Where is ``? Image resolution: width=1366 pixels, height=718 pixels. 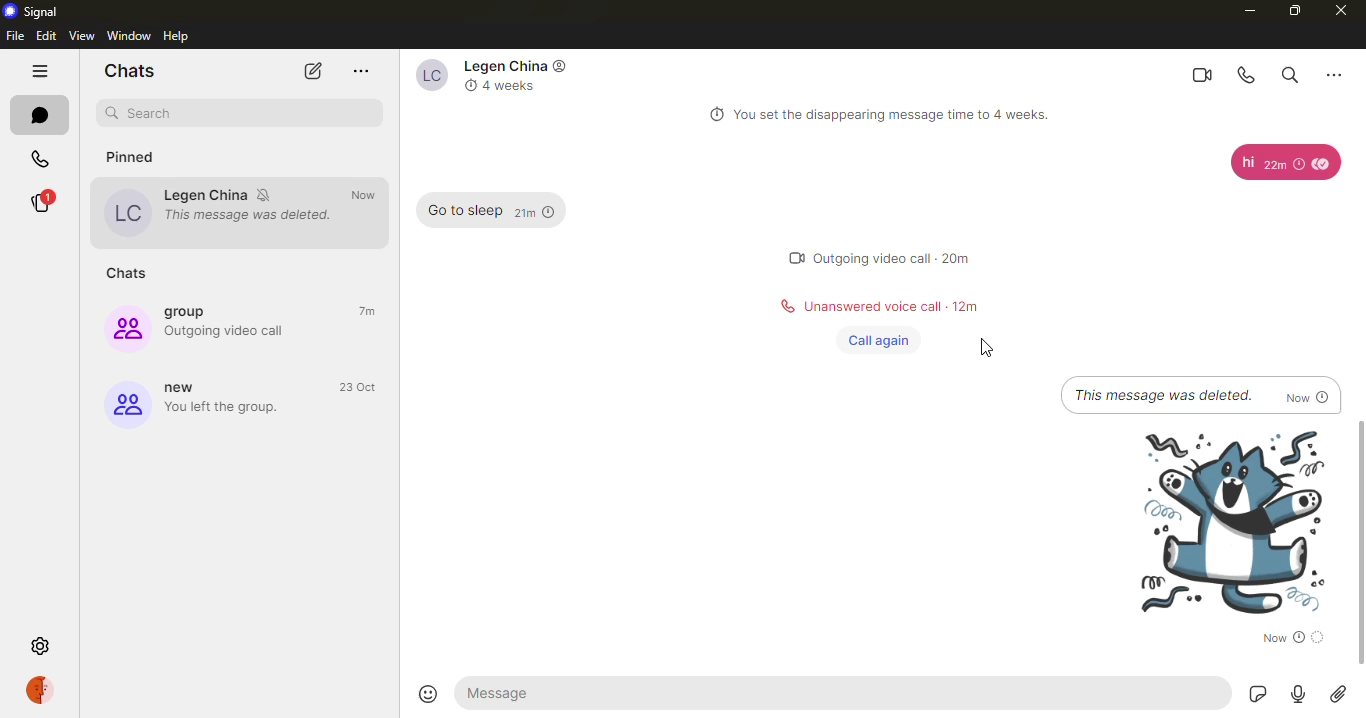
 is located at coordinates (787, 258).